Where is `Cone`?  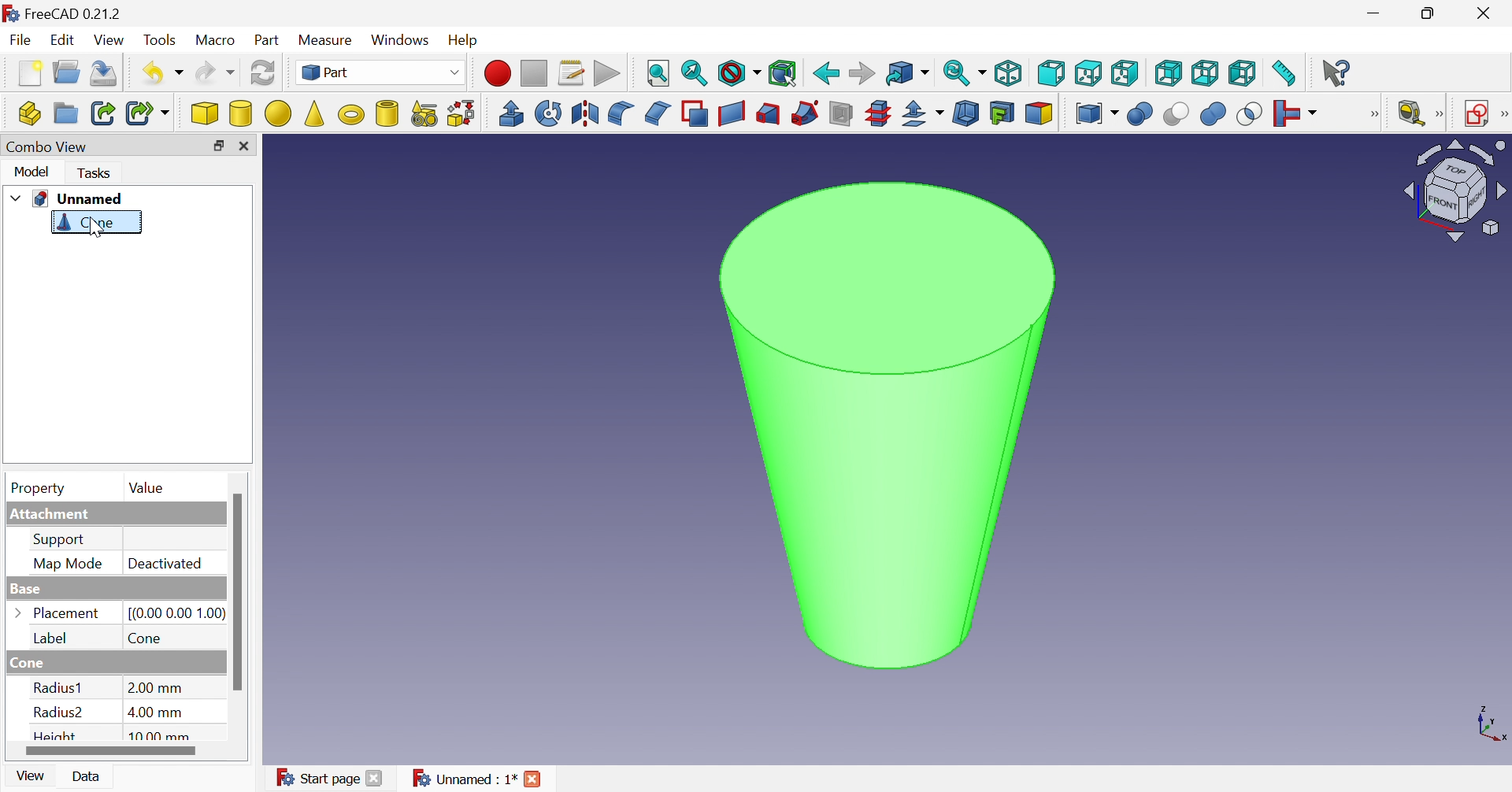
Cone is located at coordinates (888, 426).